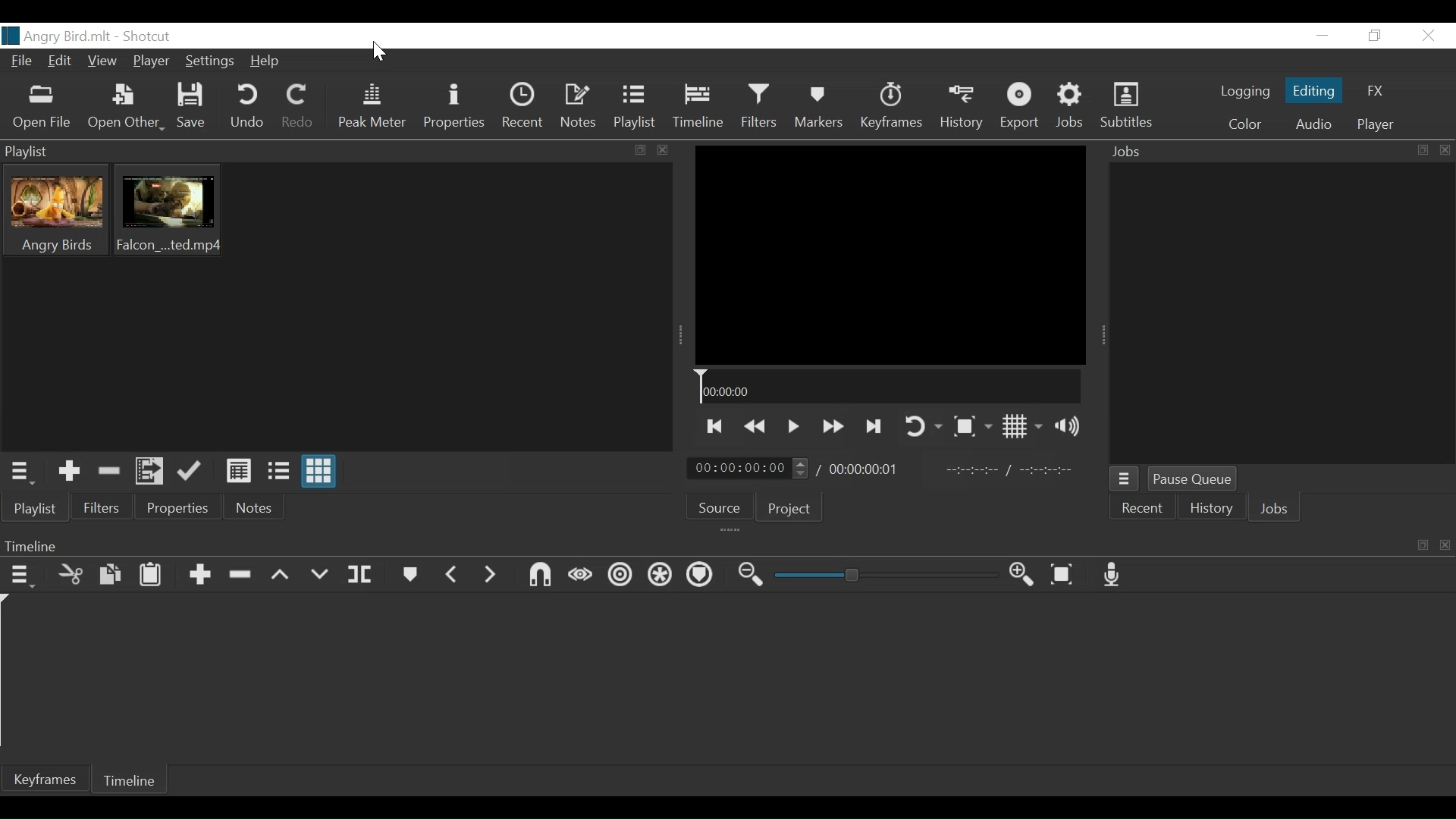 This screenshot has width=1456, height=819. Describe the element at coordinates (701, 576) in the screenshot. I see `Ripple markers` at that location.